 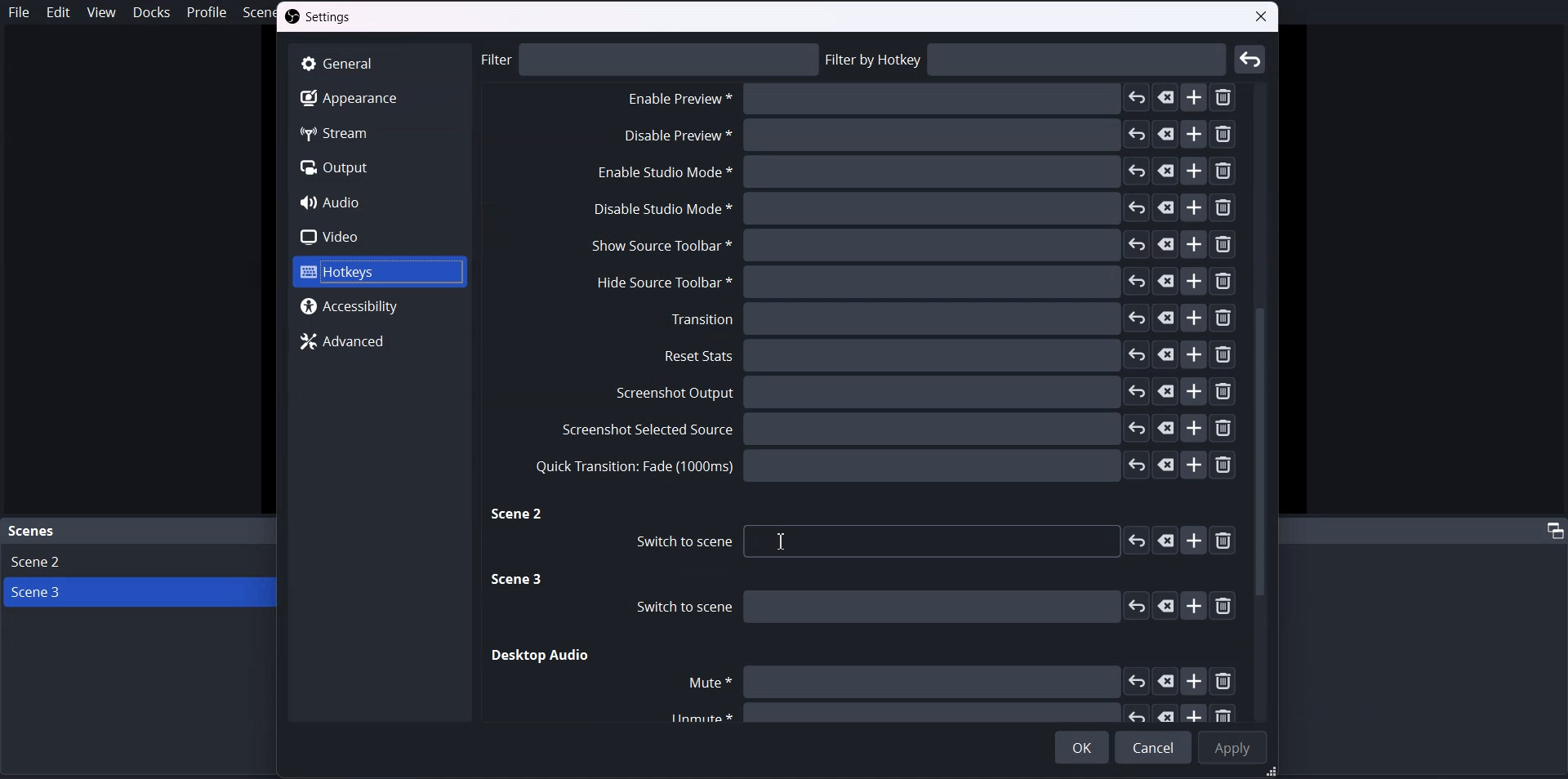 I want to click on Accessibility, so click(x=381, y=306).